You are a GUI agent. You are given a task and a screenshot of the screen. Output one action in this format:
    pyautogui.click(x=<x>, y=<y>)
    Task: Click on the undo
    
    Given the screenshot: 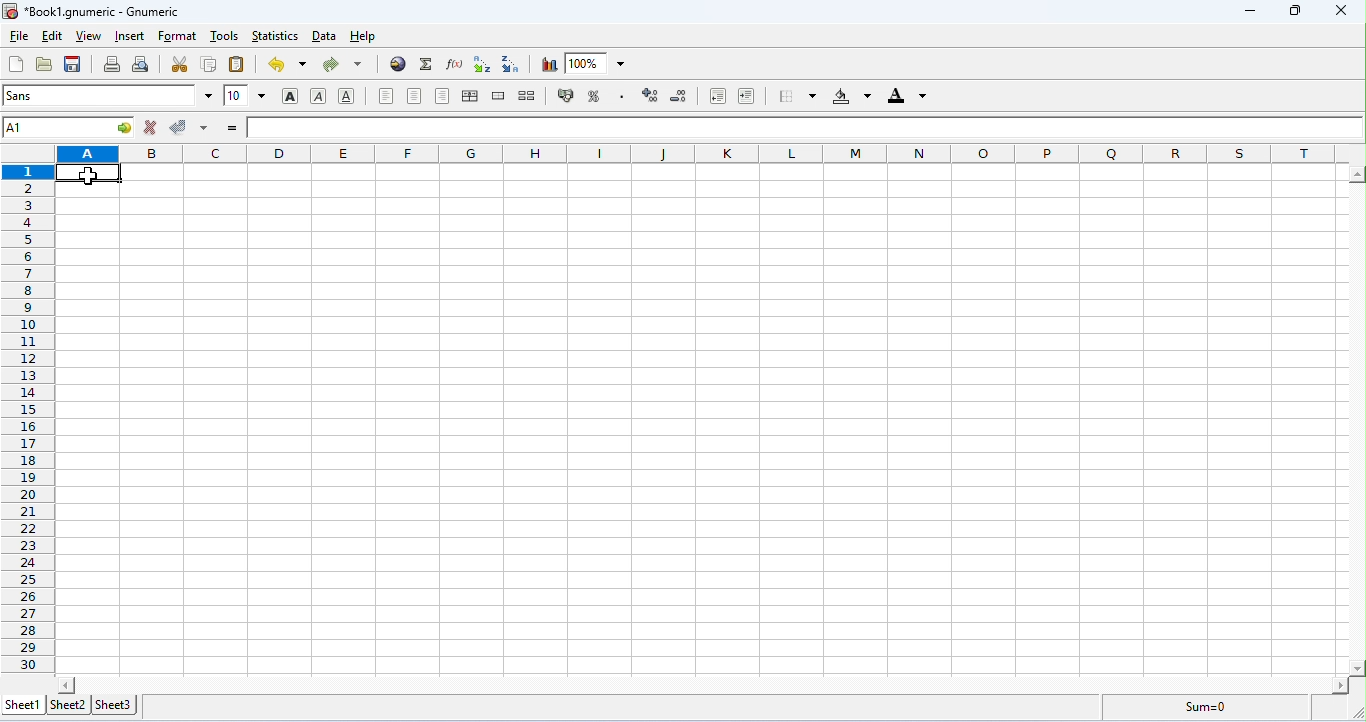 What is the action you would take?
    pyautogui.click(x=288, y=65)
    